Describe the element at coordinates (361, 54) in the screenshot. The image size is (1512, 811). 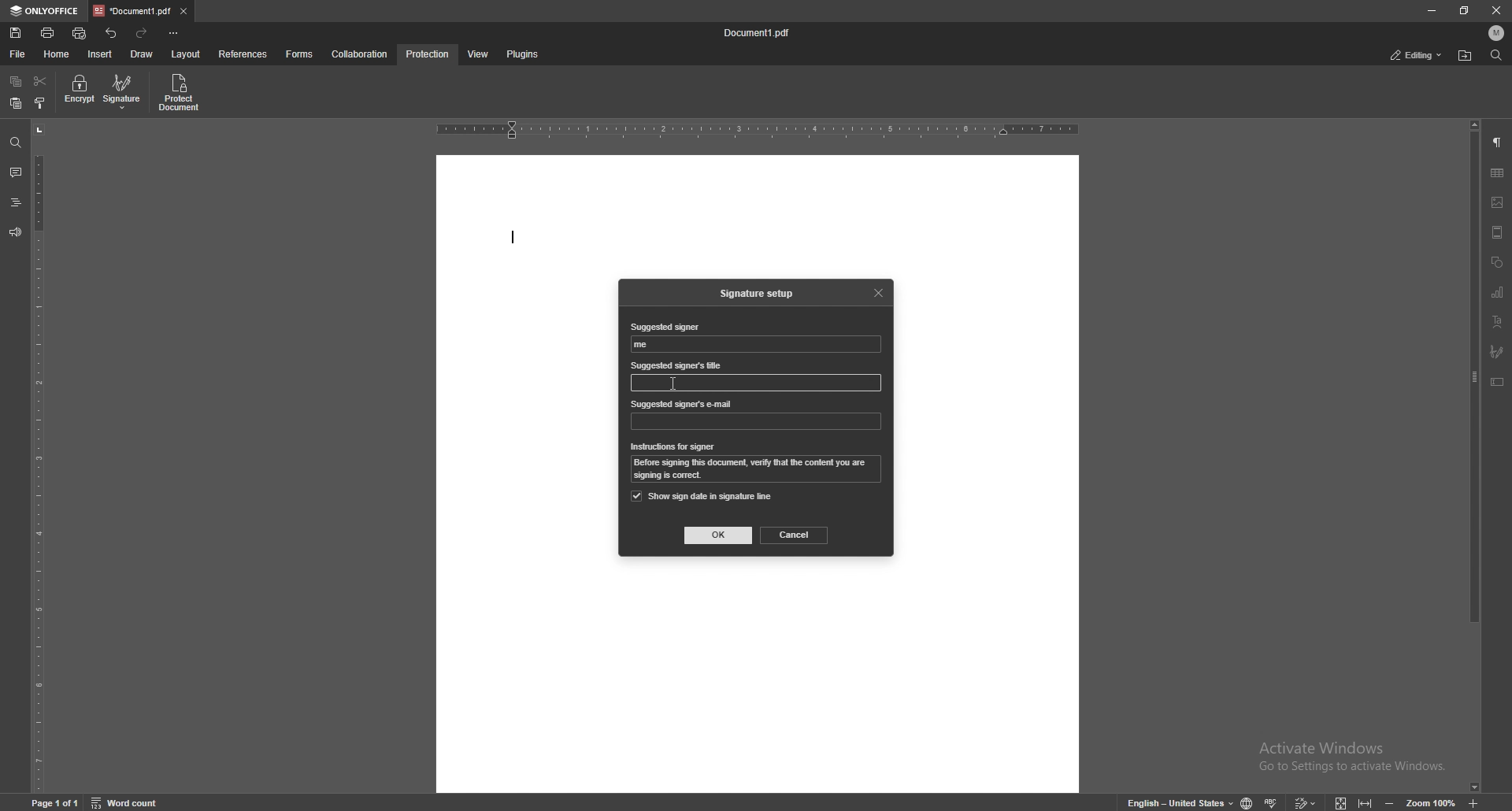
I see `collaboration` at that location.